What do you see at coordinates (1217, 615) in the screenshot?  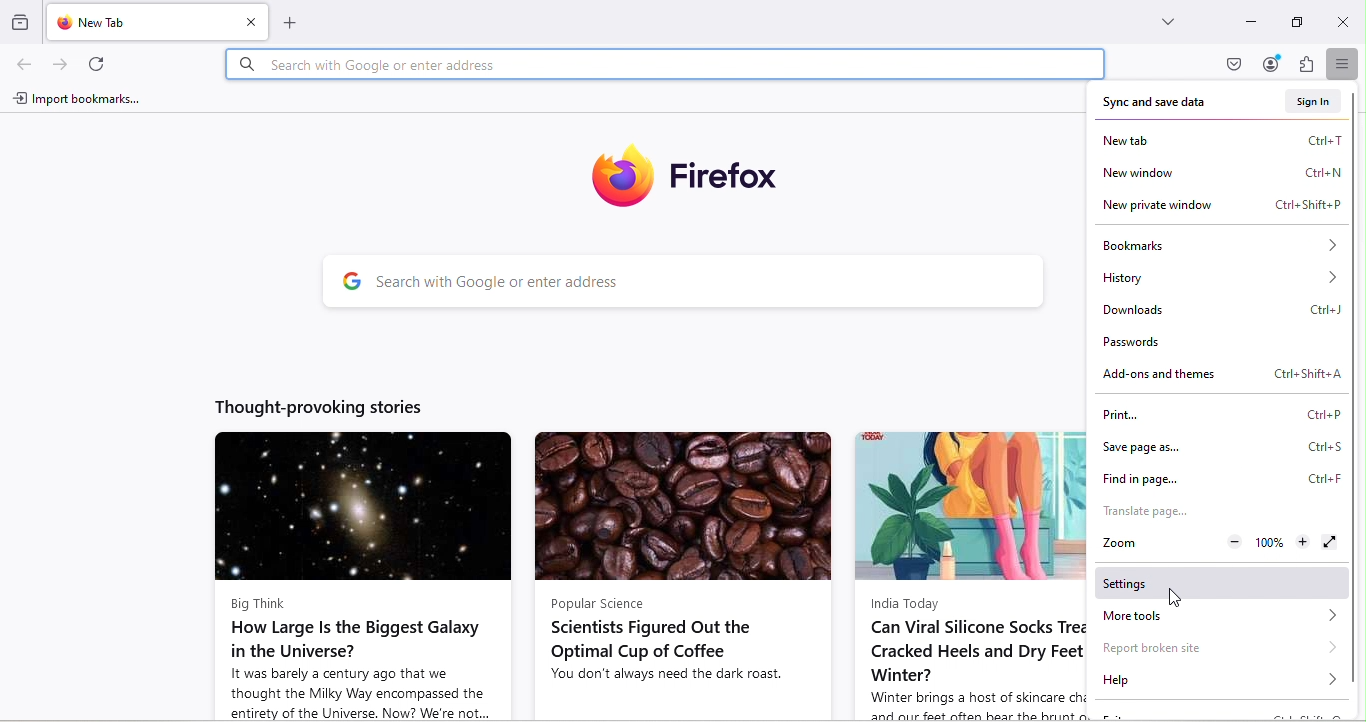 I see `More tools` at bounding box center [1217, 615].